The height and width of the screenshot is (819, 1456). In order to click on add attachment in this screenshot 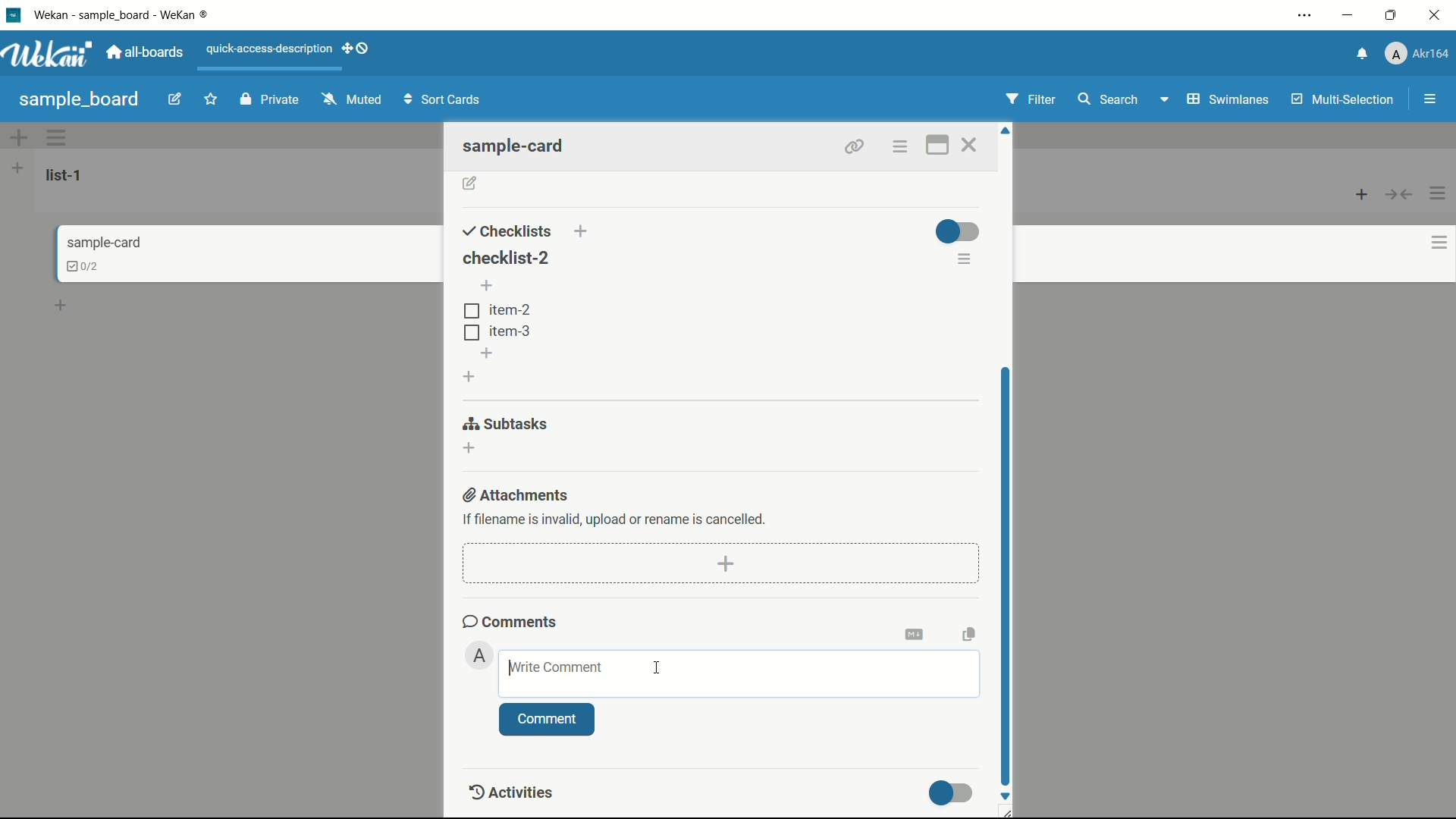, I will do `click(727, 563)`.